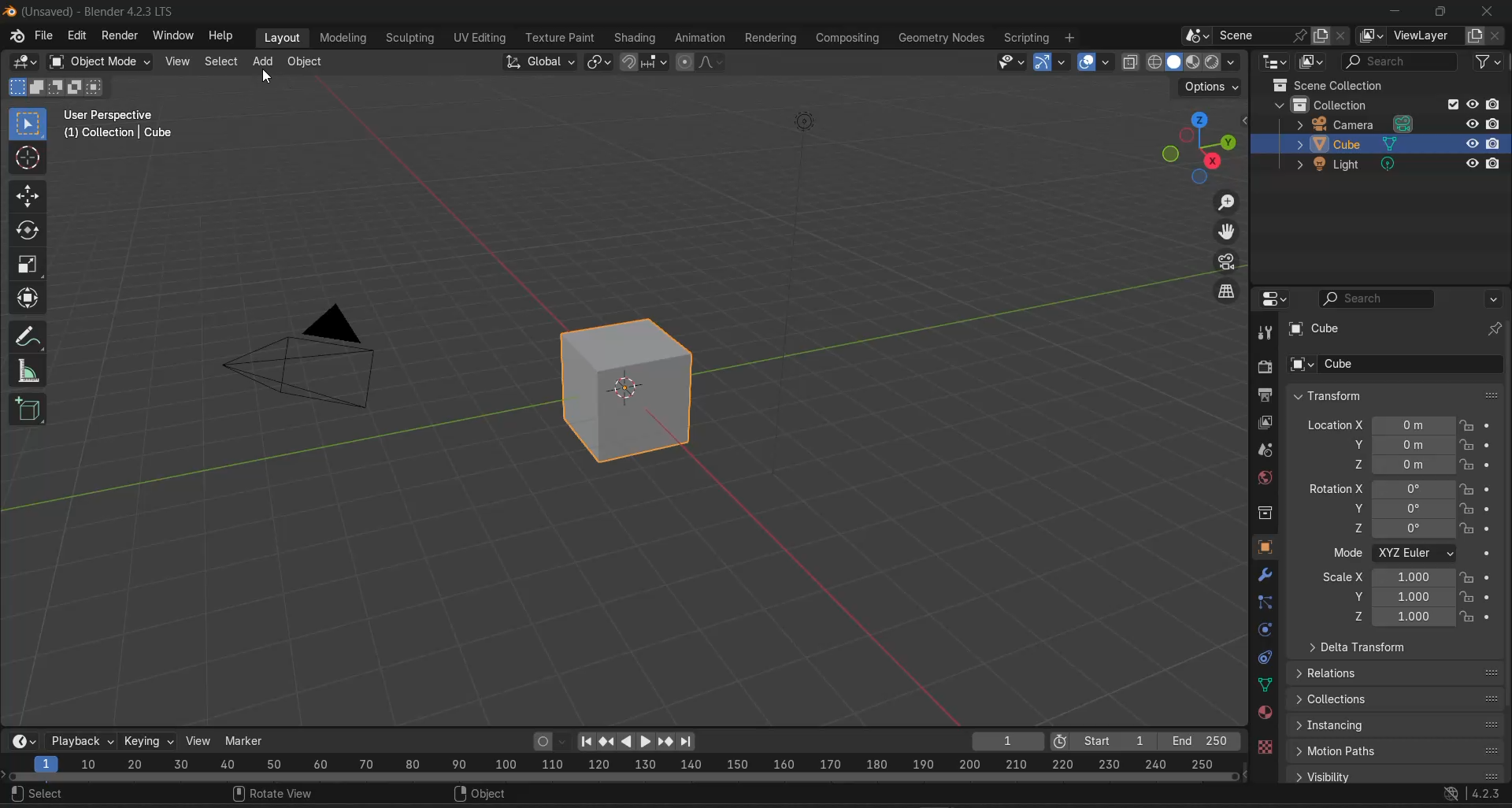 The image size is (1512, 808). I want to click on toggle pin ID, so click(1495, 328).